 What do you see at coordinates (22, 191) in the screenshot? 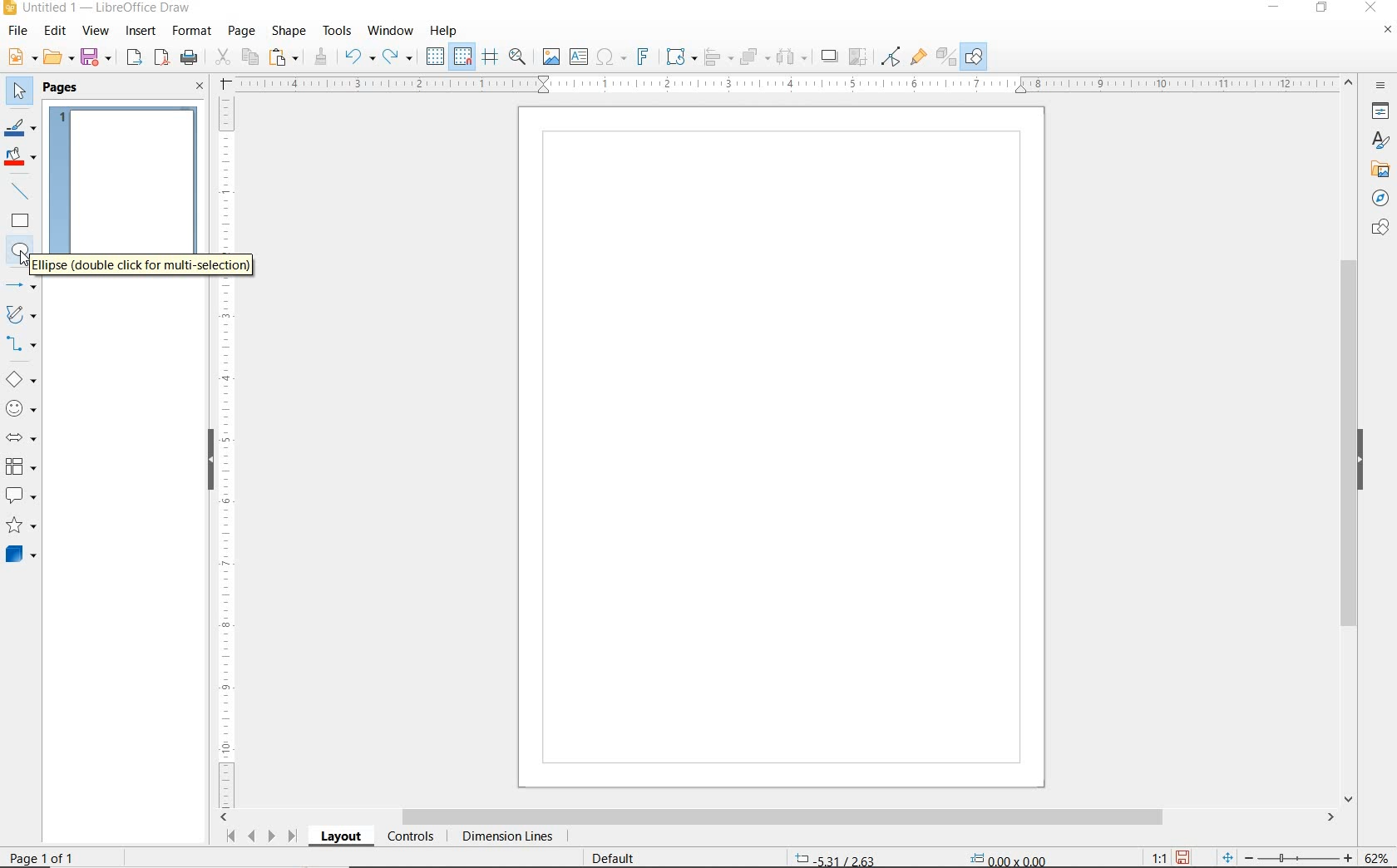
I see `INSERT LINE` at bounding box center [22, 191].